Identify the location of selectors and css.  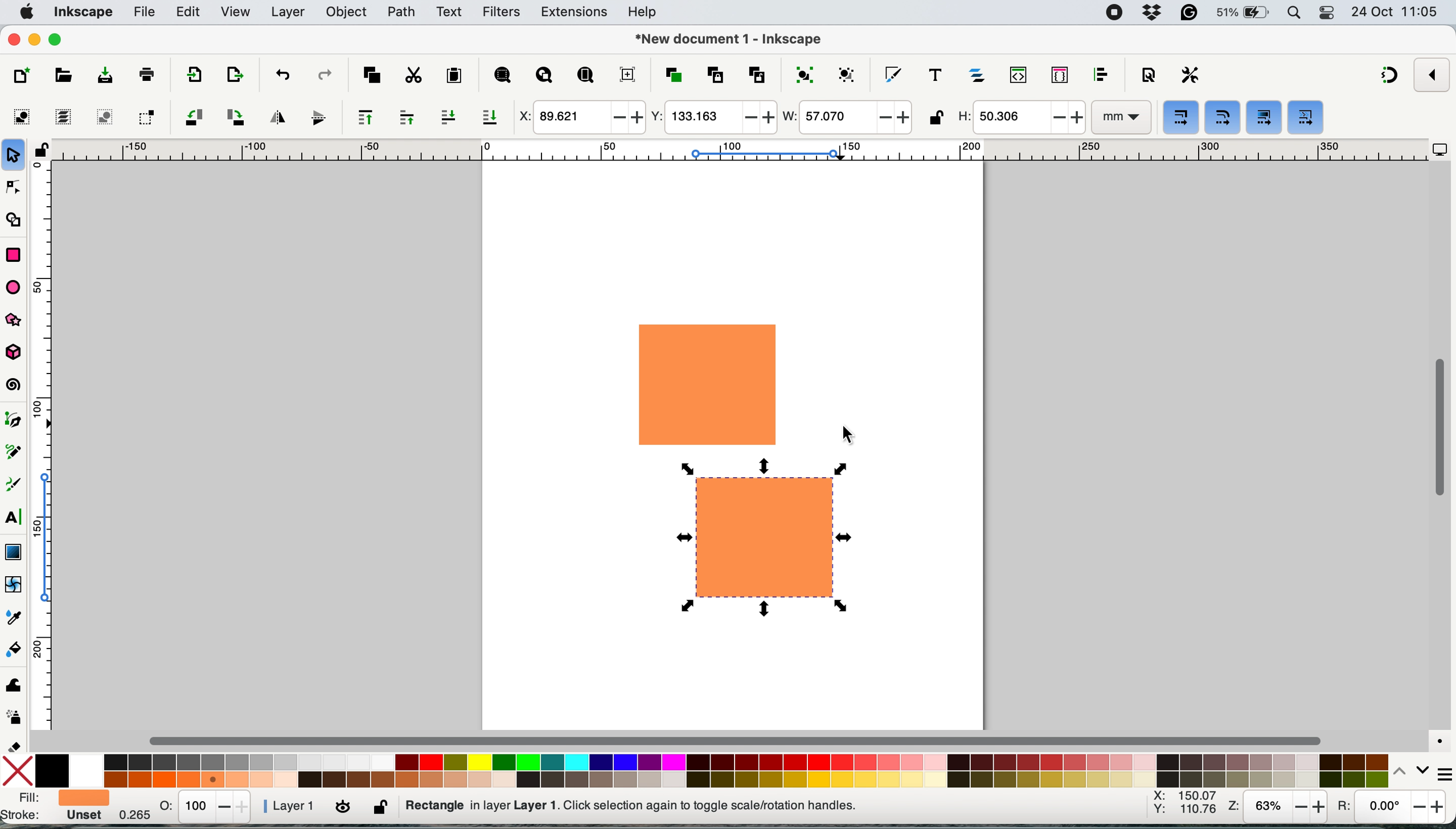
(1060, 74).